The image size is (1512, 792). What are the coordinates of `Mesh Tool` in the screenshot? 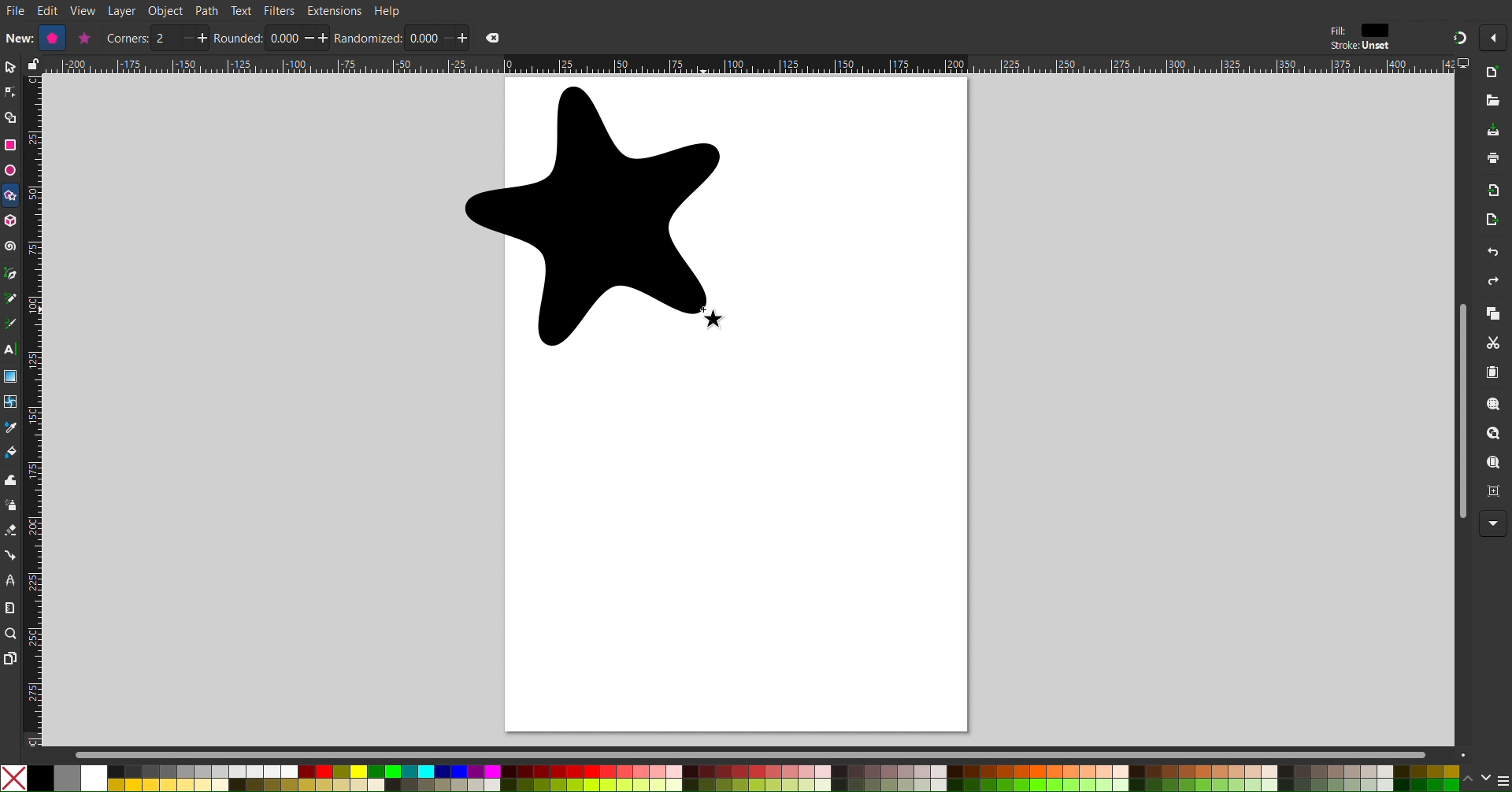 It's located at (11, 403).